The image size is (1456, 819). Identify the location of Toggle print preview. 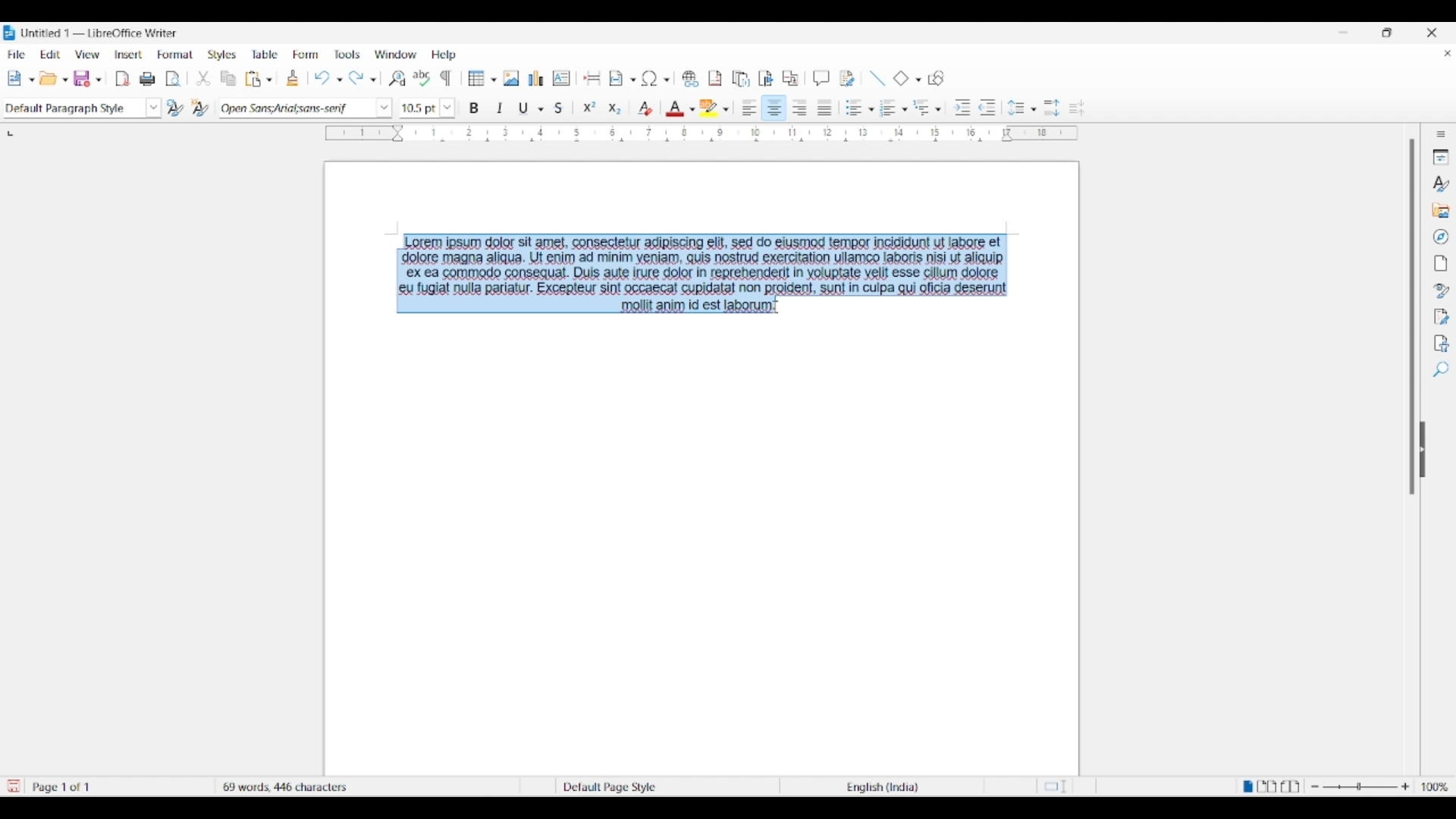
(174, 79).